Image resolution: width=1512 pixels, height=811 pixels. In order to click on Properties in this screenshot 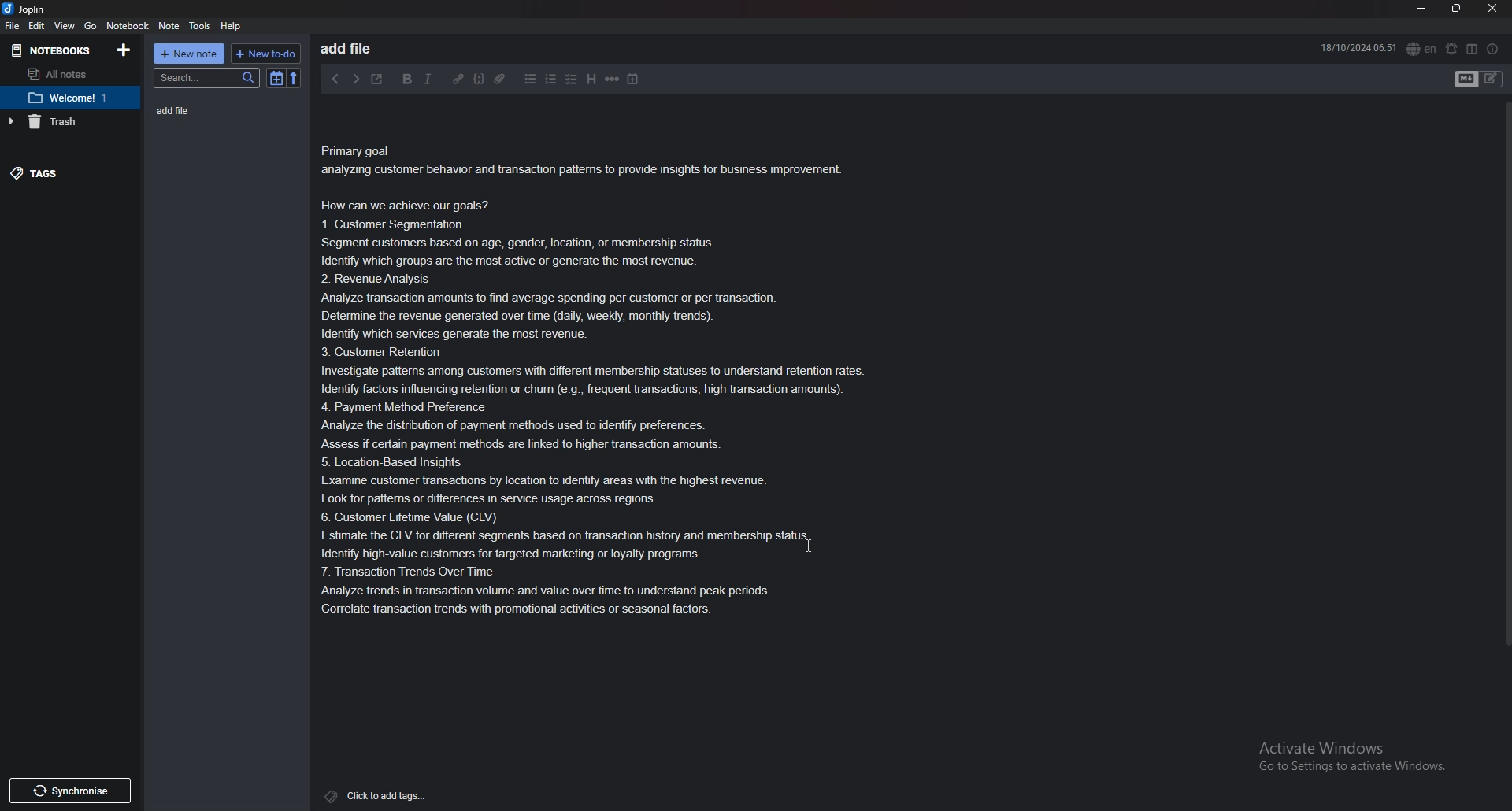, I will do `click(1492, 49)`.